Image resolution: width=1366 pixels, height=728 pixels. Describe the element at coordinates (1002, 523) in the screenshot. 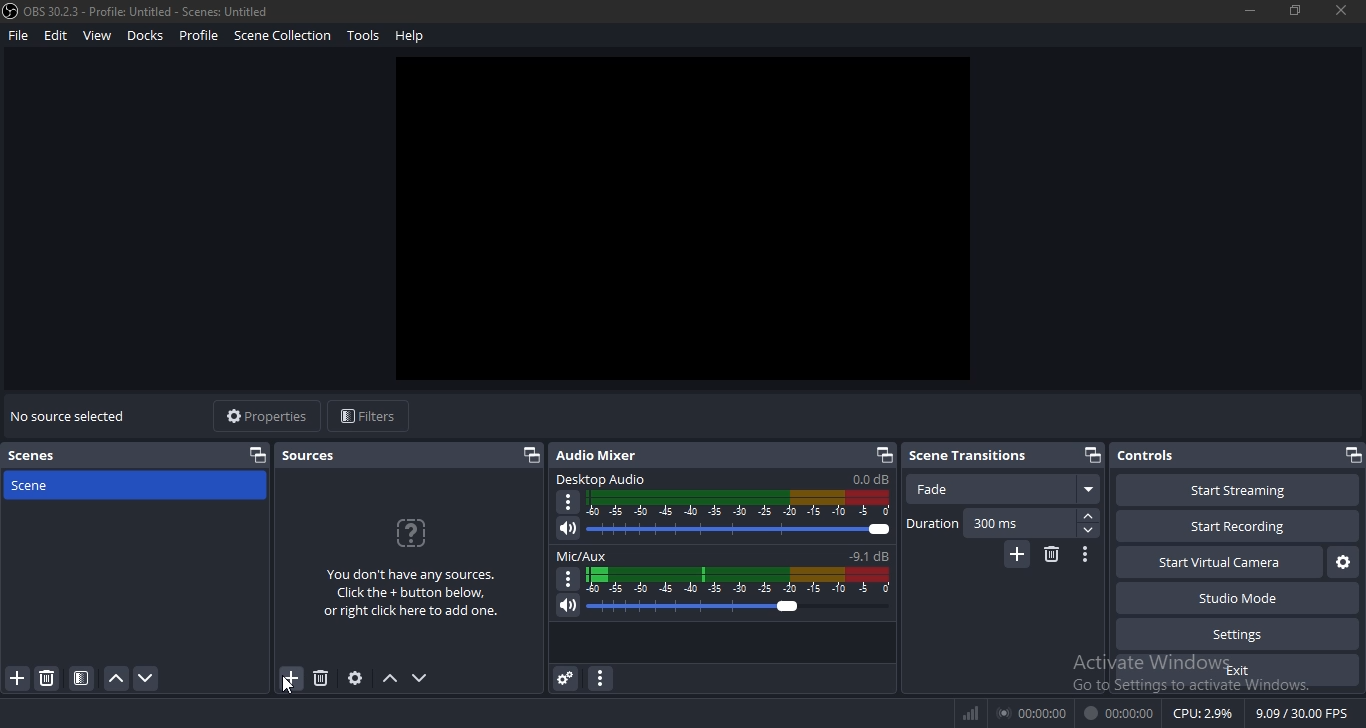

I see `duration` at that location.